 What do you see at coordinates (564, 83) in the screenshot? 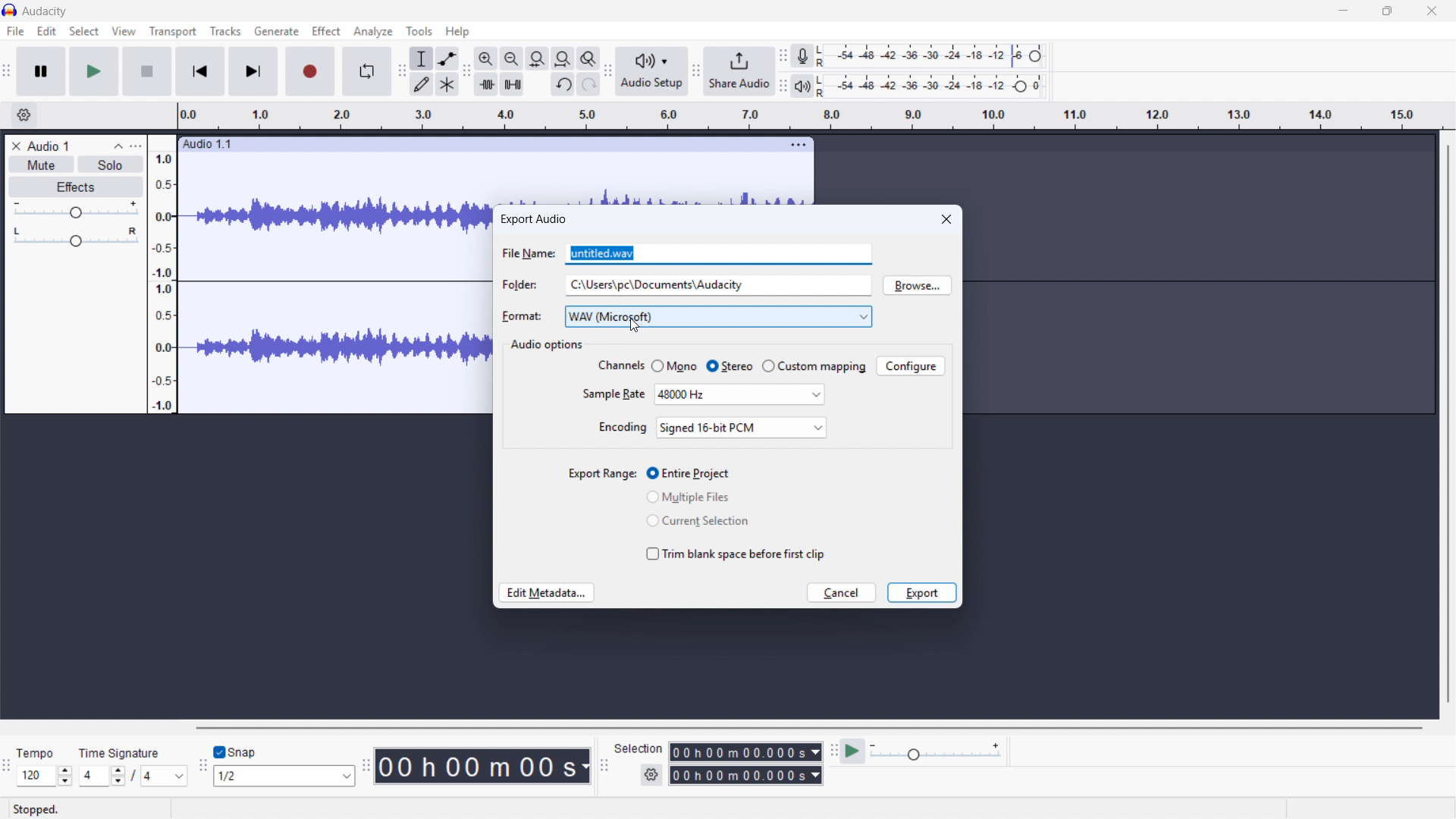
I see `Undo ` at bounding box center [564, 83].